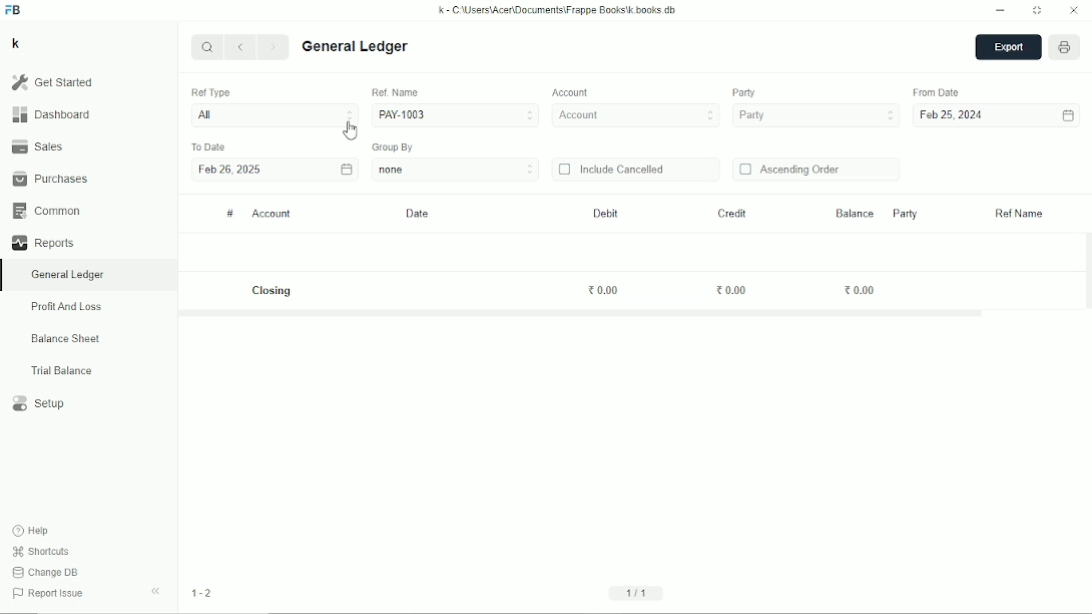  What do you see at coordinates (275, 48) in the screenshot?
I see `Next` at bounding box center [275, 48].